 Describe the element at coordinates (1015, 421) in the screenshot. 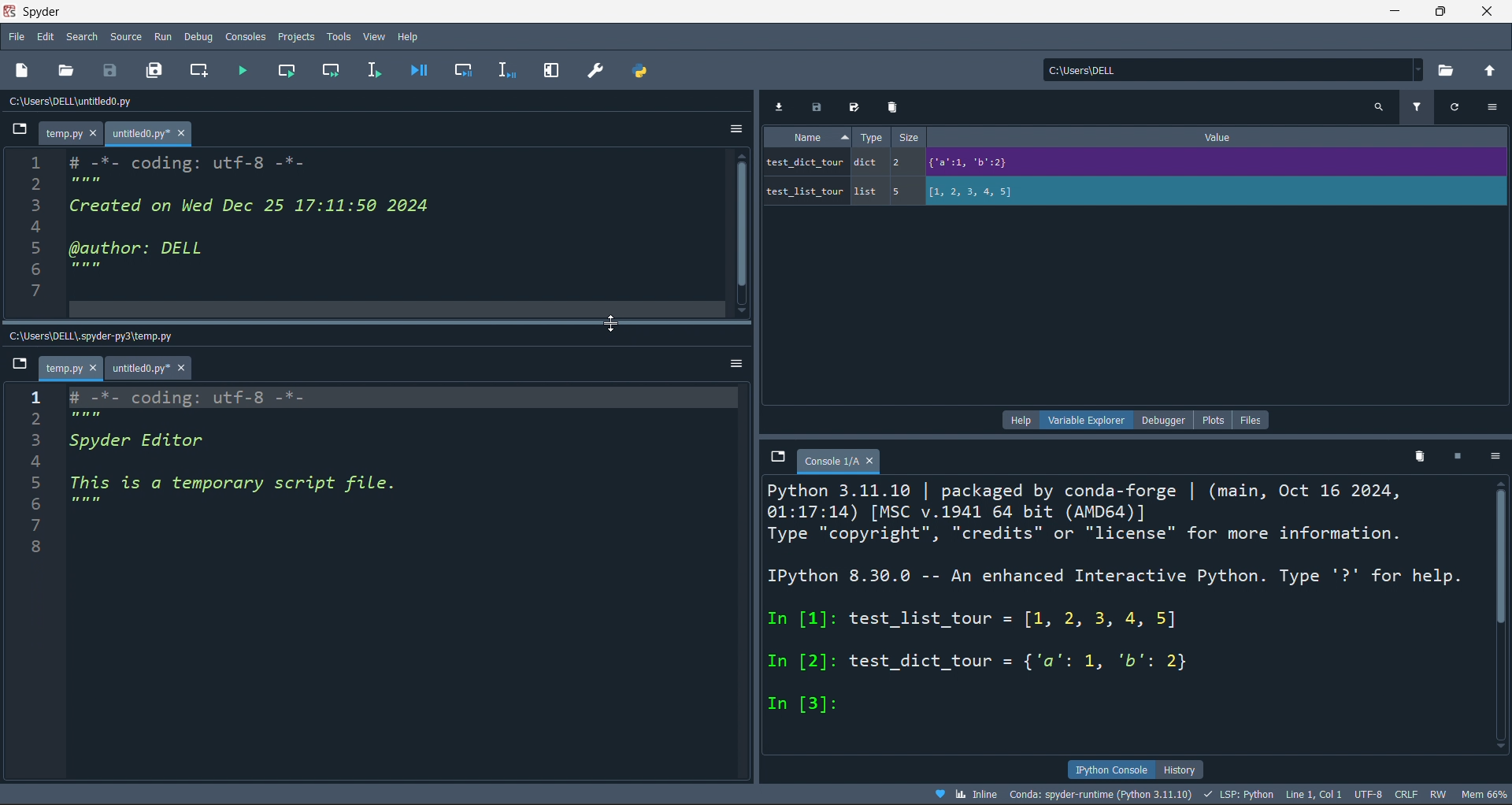

I see `help` at that location.